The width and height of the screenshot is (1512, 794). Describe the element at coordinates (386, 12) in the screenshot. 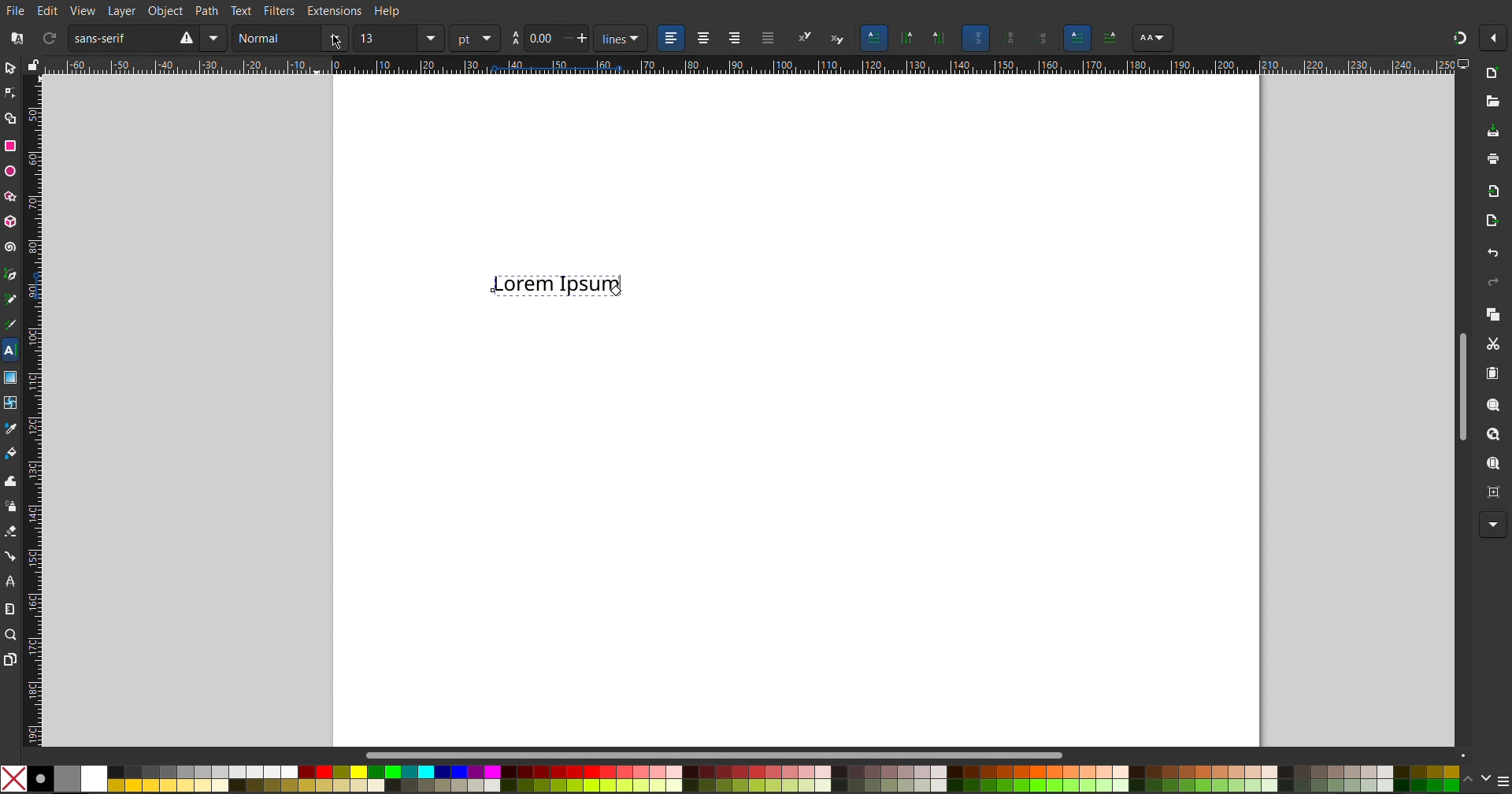

I see `Help` at that location.